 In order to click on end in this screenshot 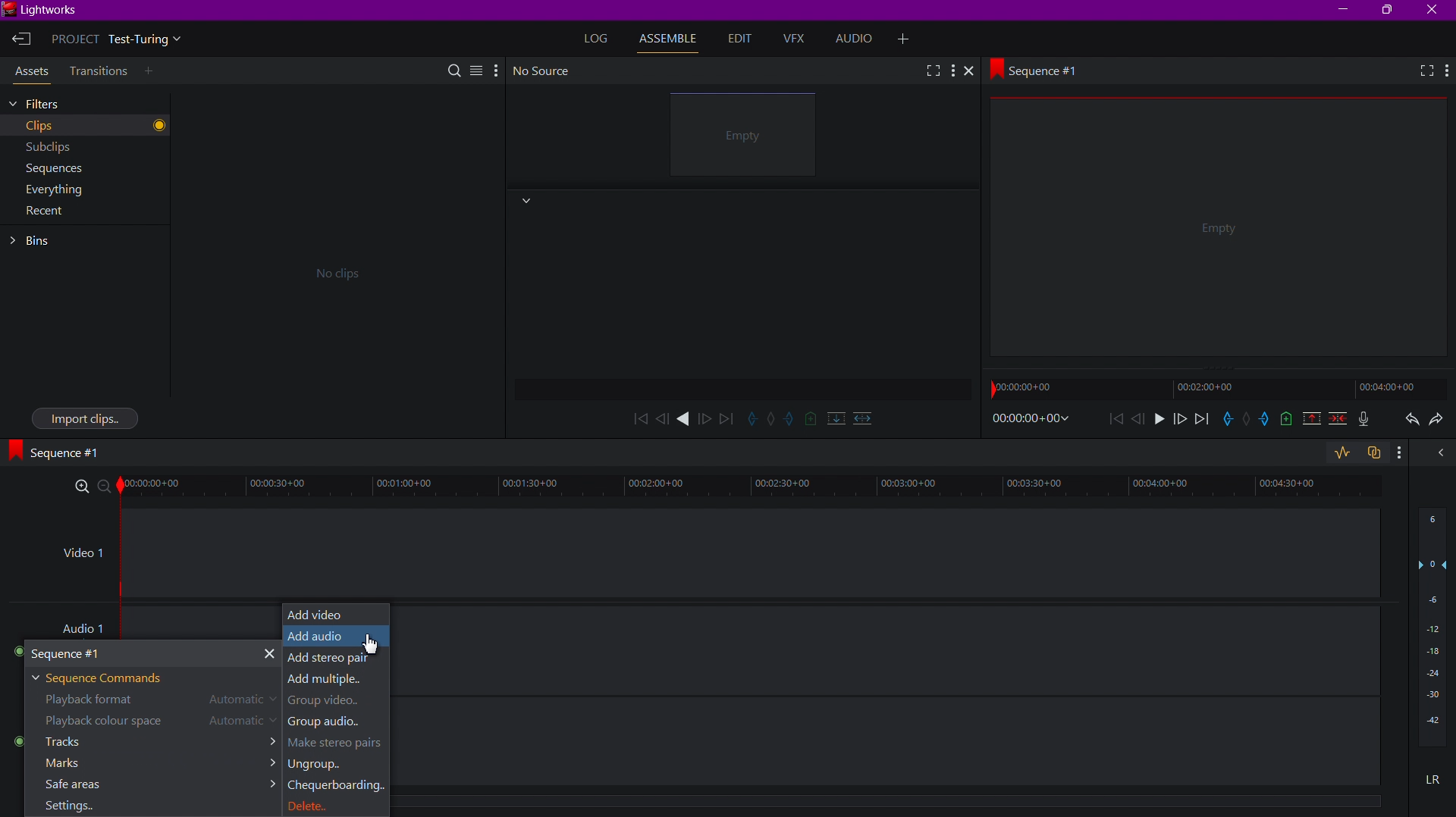, I will do `click(1201, 421)`.